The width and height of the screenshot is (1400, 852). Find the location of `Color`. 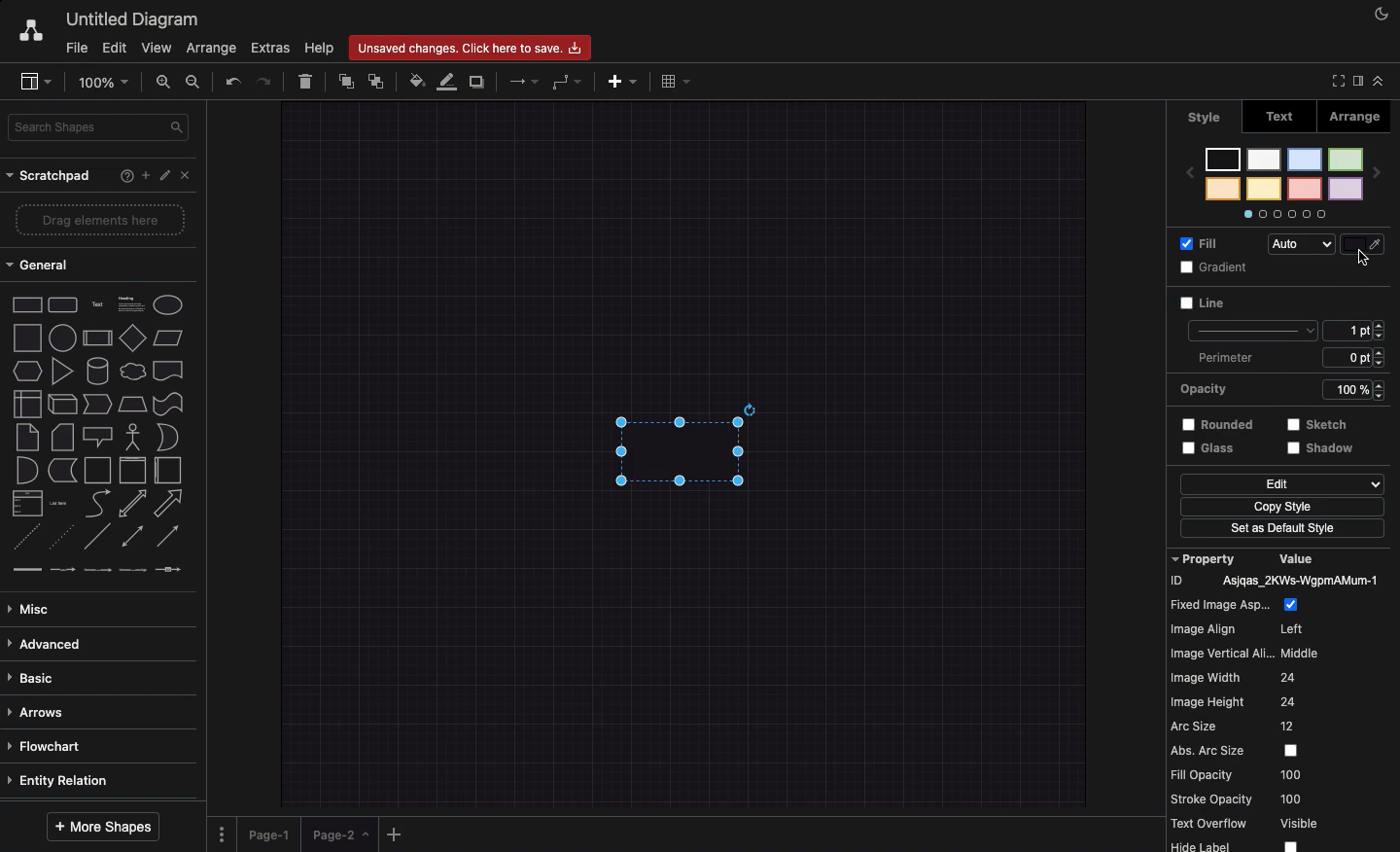

Color is located at coordinates (1364, 303).